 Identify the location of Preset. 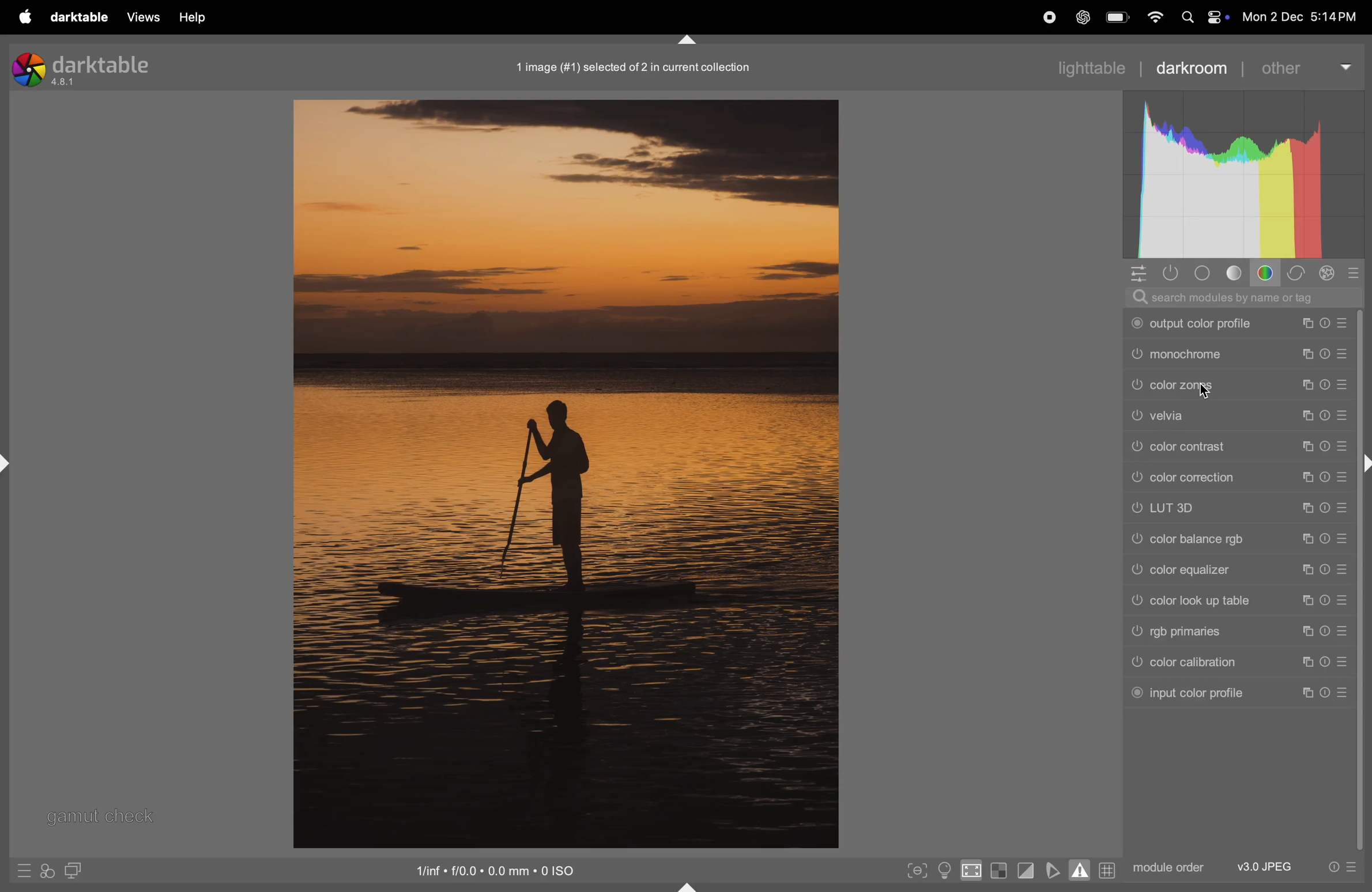
(1343, 570).